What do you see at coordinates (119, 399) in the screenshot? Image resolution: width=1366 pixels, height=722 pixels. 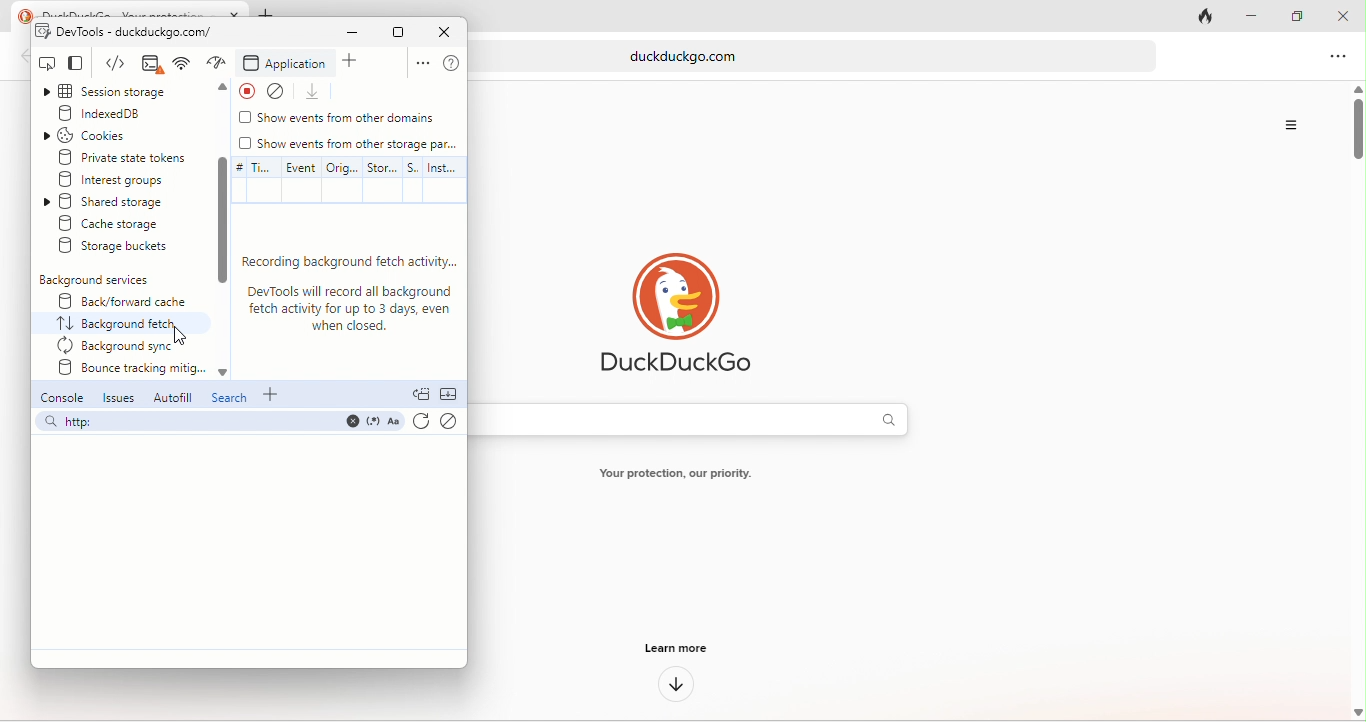 I see `issues` at bounding box center [119, 399].